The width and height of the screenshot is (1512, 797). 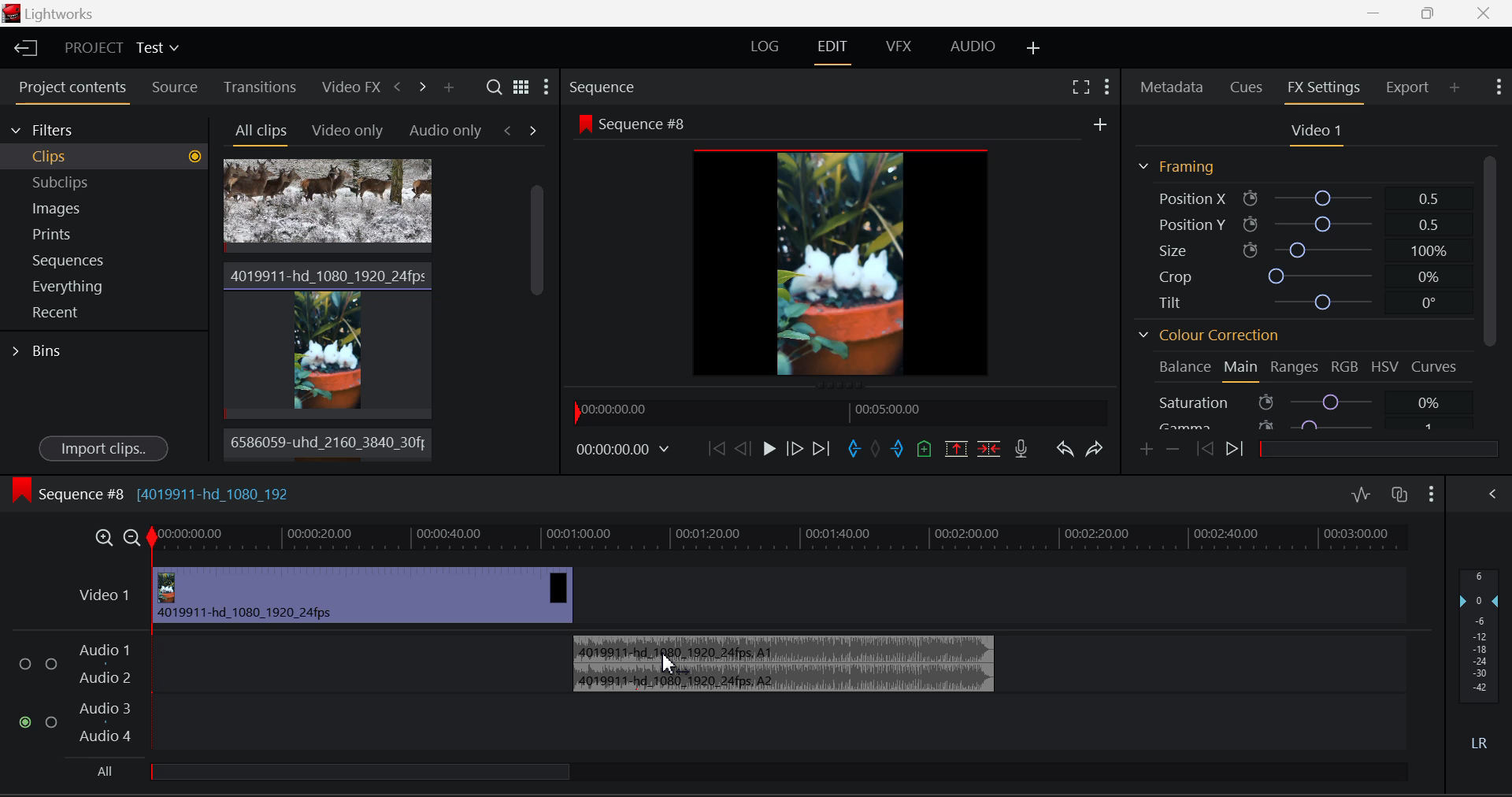 I want to click on Decibel Level, so click(x=1480, y=651).